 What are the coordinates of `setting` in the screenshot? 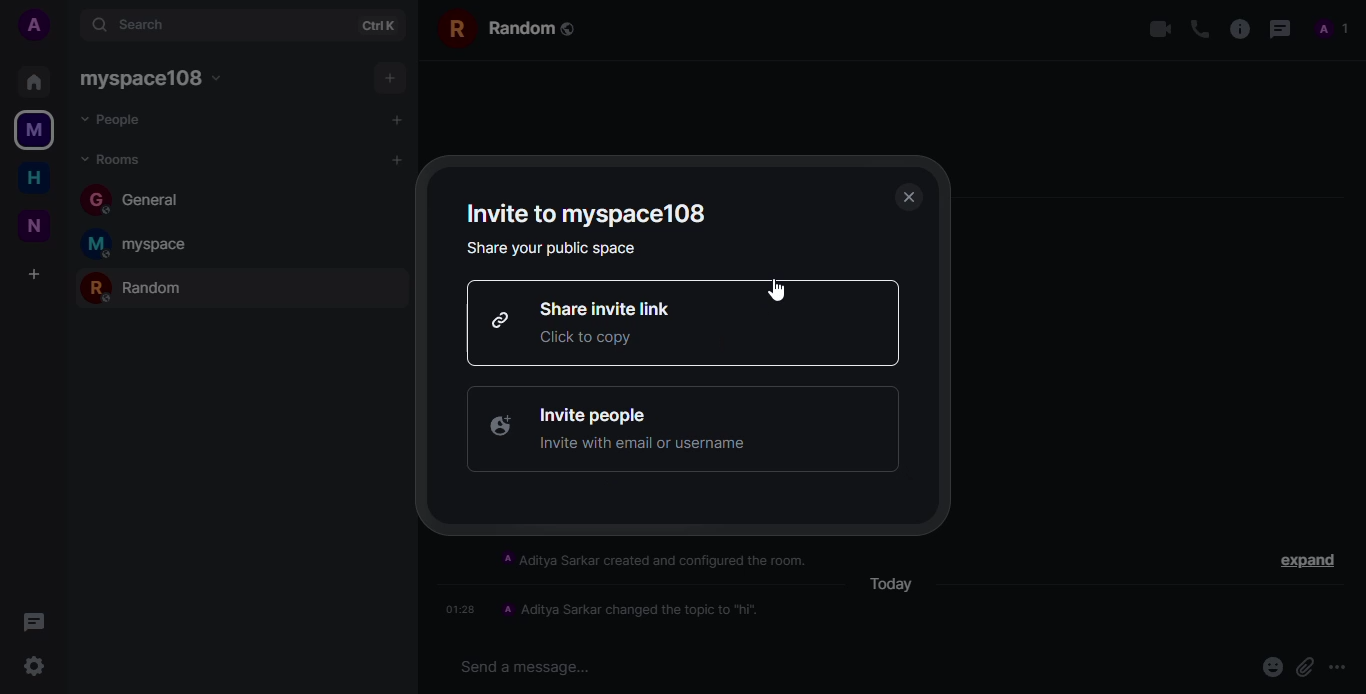 It's located at (34, 665).